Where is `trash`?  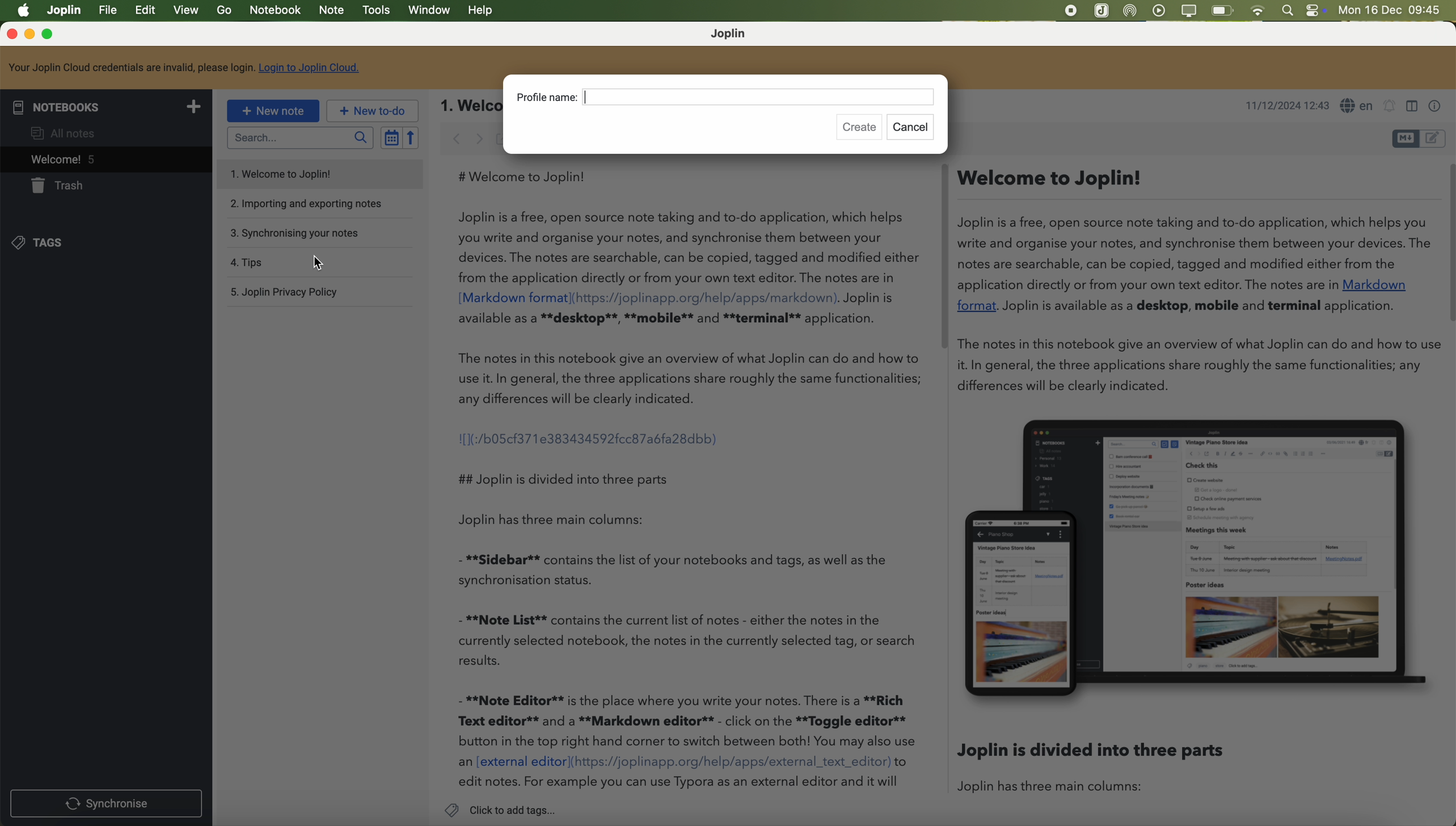
trash is located at coordinates (60, 186).